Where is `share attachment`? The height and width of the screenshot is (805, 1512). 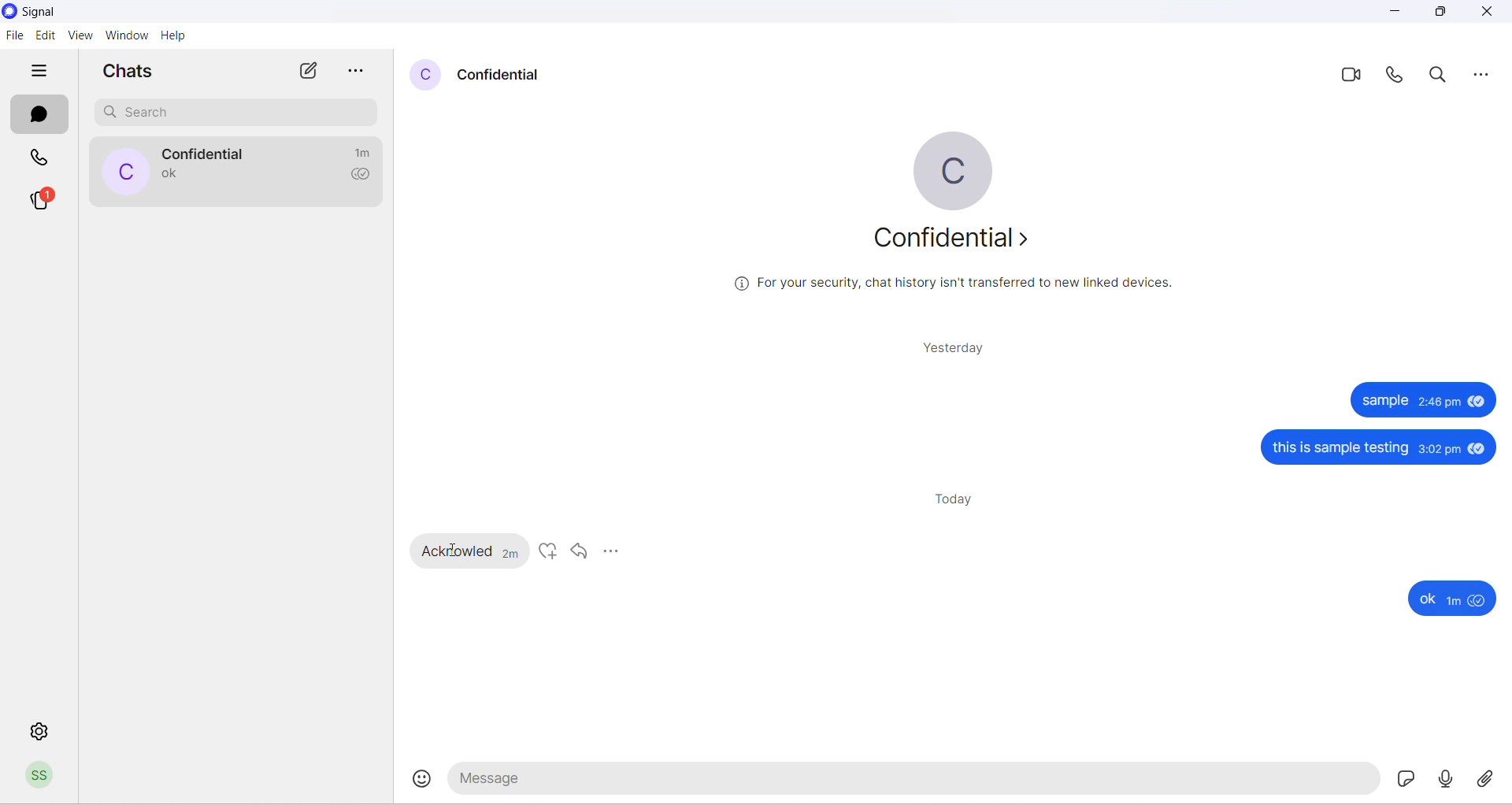 share attachment is located at coordinates (1488, 778).